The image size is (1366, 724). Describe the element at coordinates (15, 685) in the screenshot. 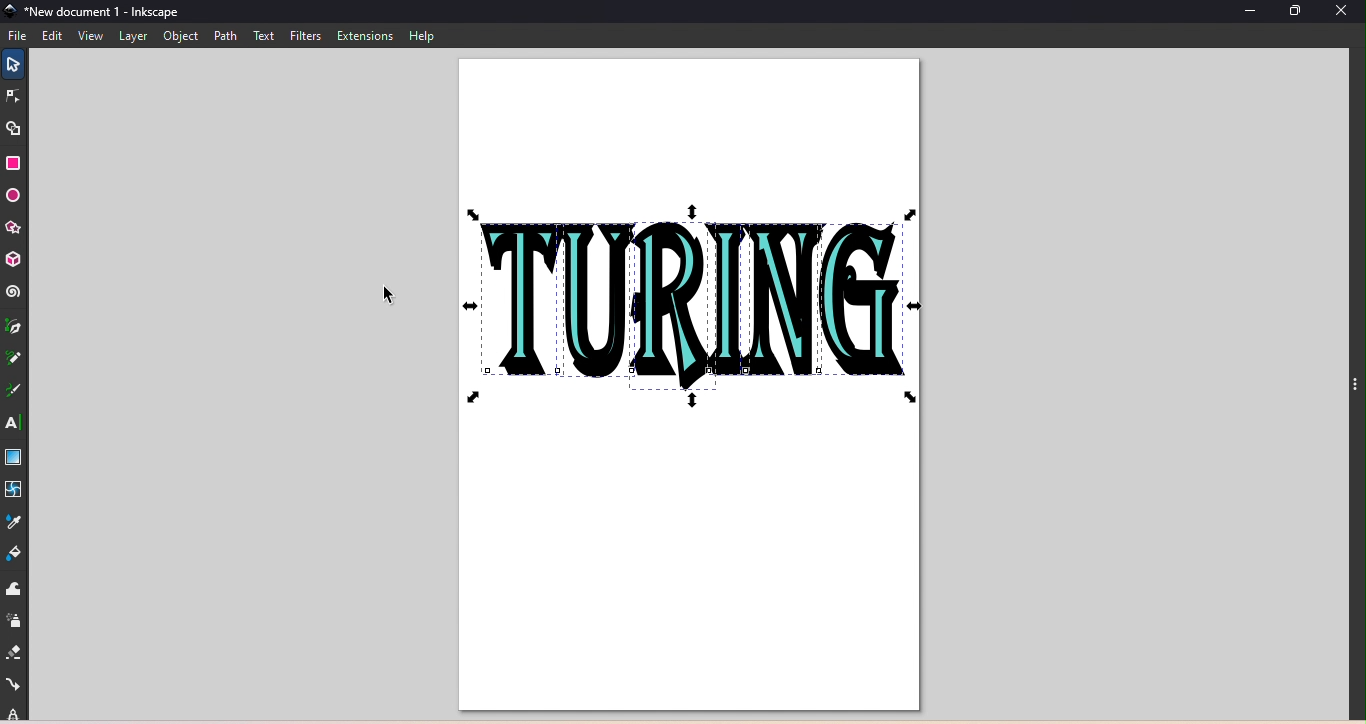

I see `Connector tool` at that location.